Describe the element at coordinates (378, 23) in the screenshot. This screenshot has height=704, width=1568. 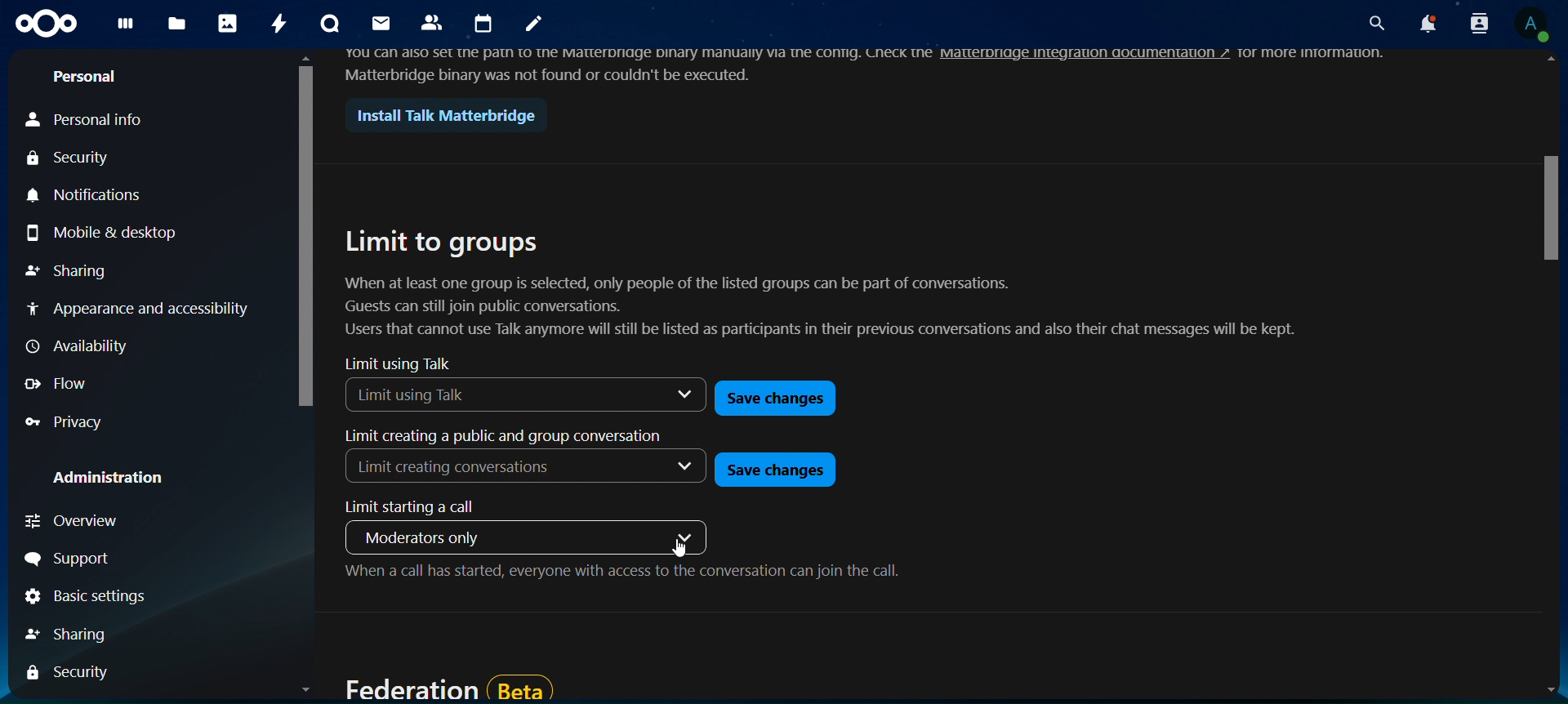
I see `mail` at that location.